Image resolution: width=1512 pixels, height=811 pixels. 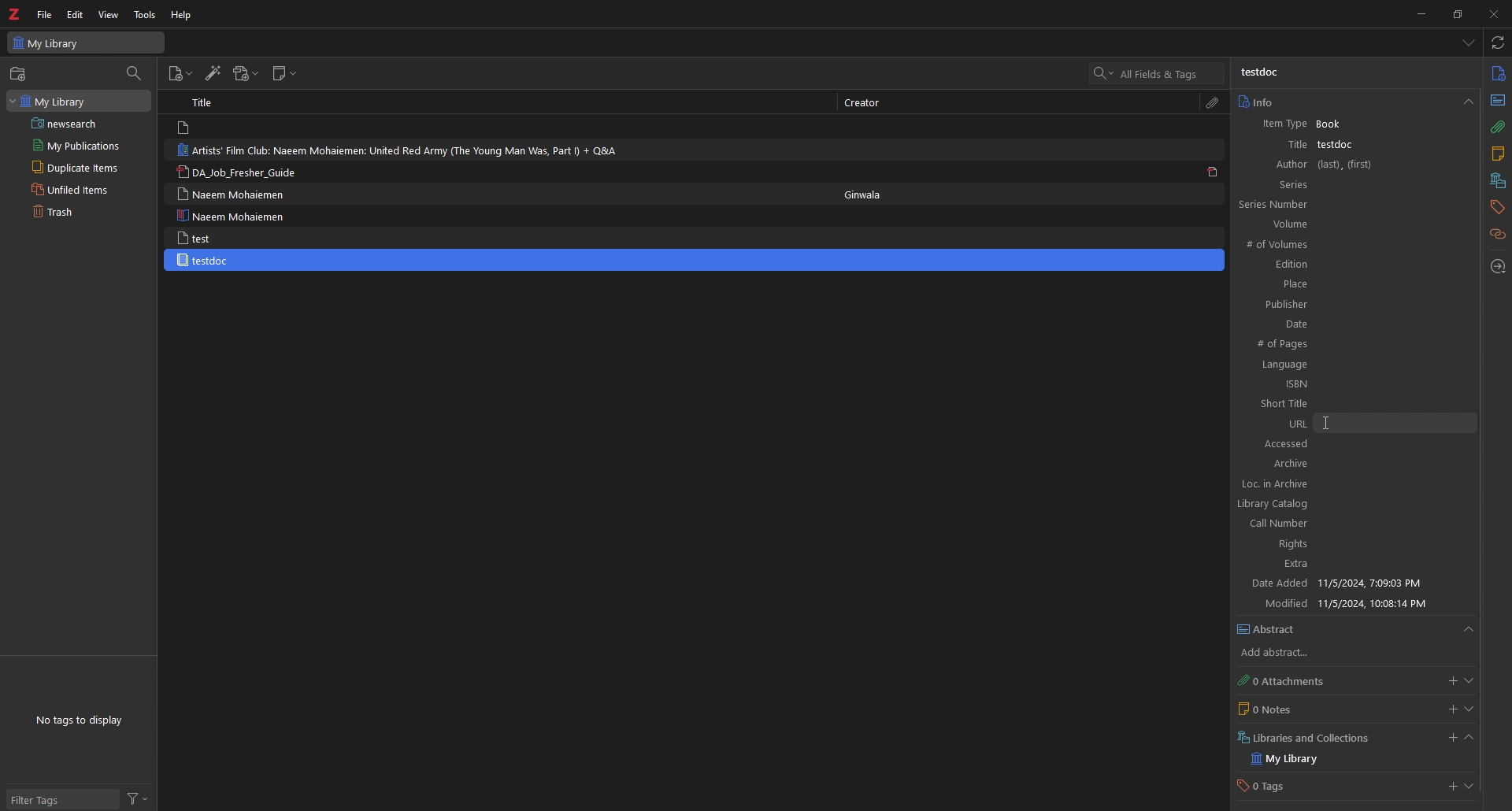 What do you see at coordinates (1213, 172) in the screenshot?
I see `pdf` at bounding box center [1213, 172].